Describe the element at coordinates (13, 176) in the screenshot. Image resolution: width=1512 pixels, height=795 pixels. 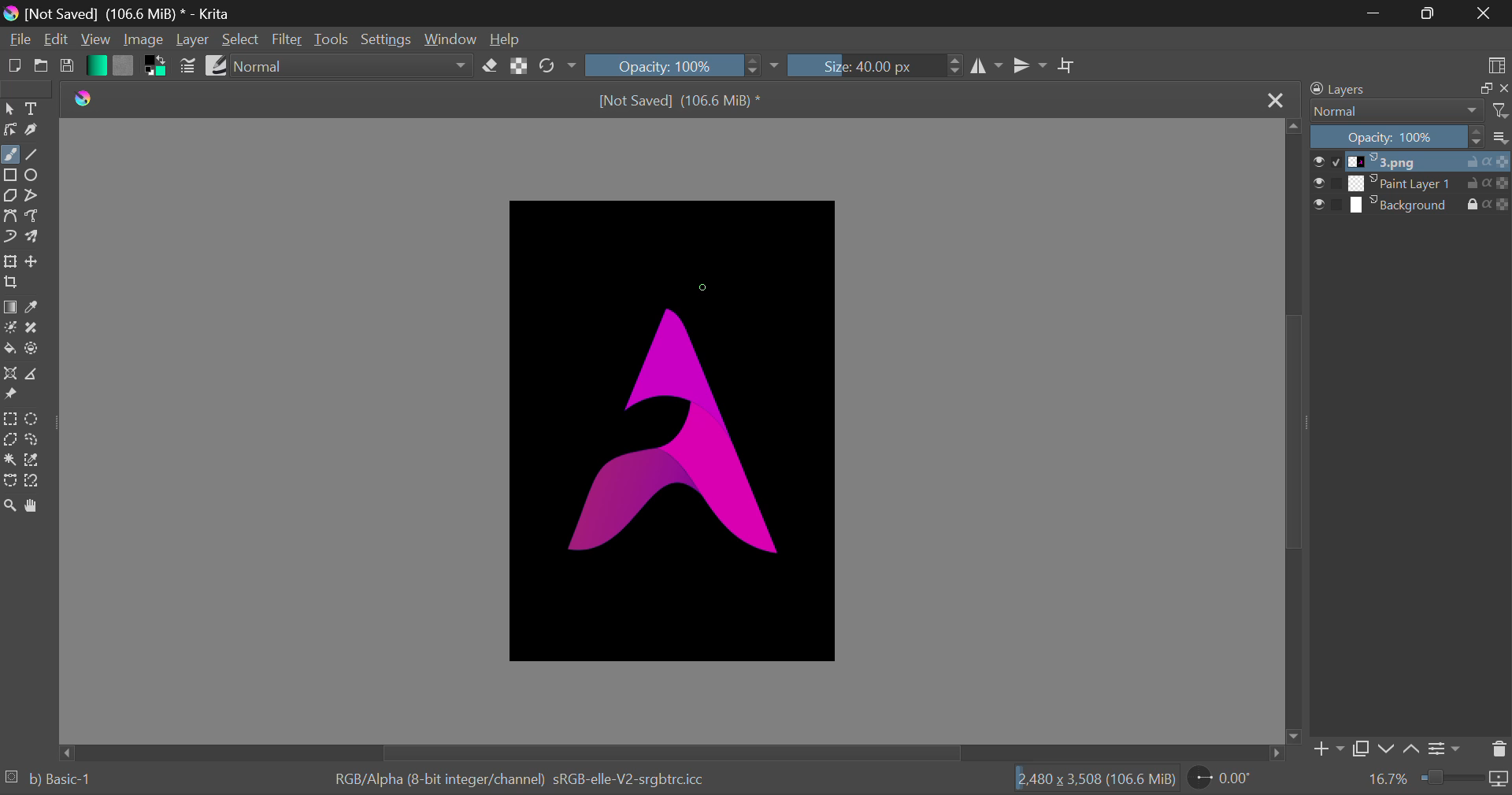
I see `Rectangle` at that location.